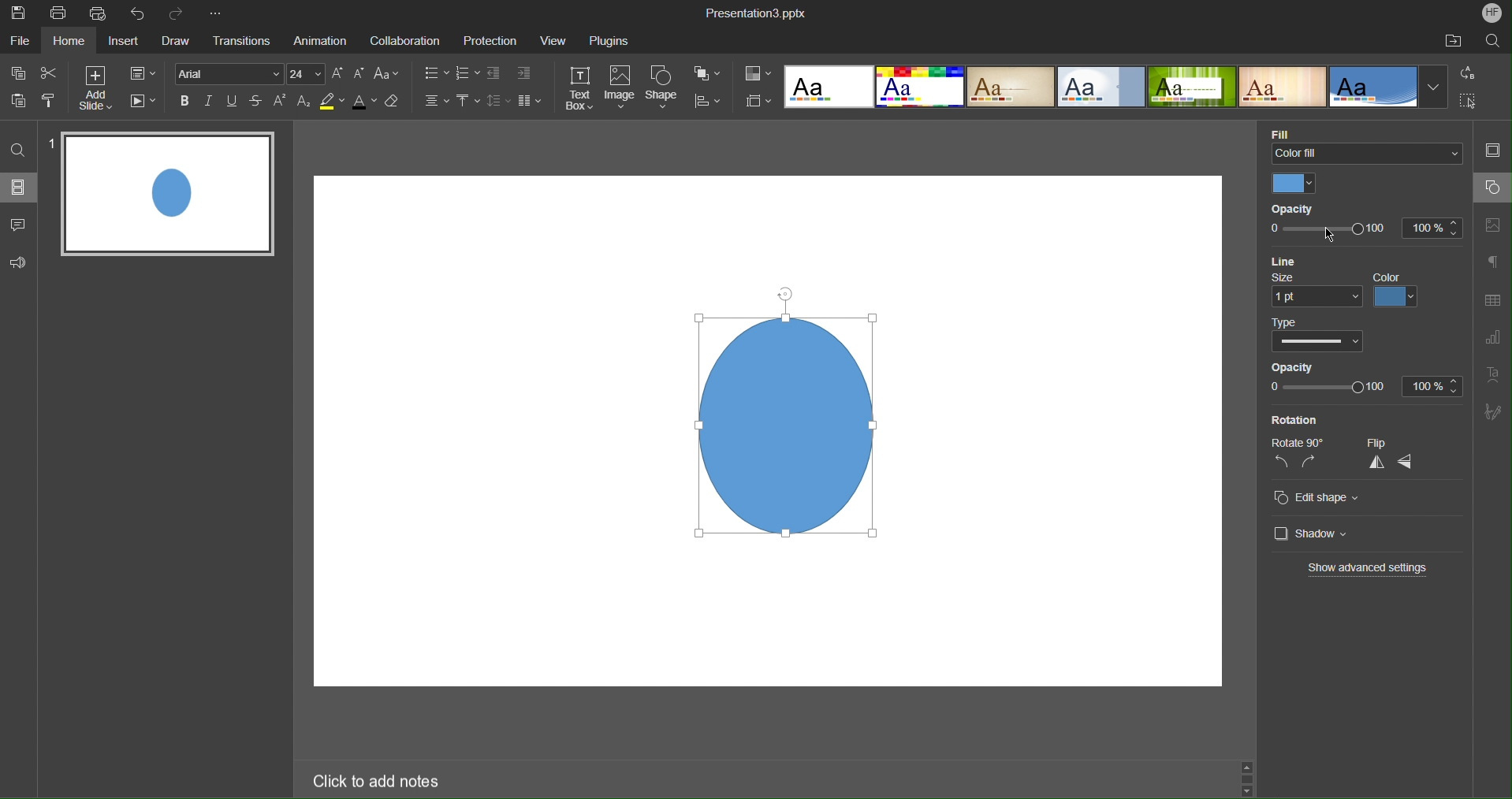 This screenshot has width=1512, height=799. What do you see at coordinates (215, 11) in the screenshot?
I see `More` at bounding box center [215, 11].